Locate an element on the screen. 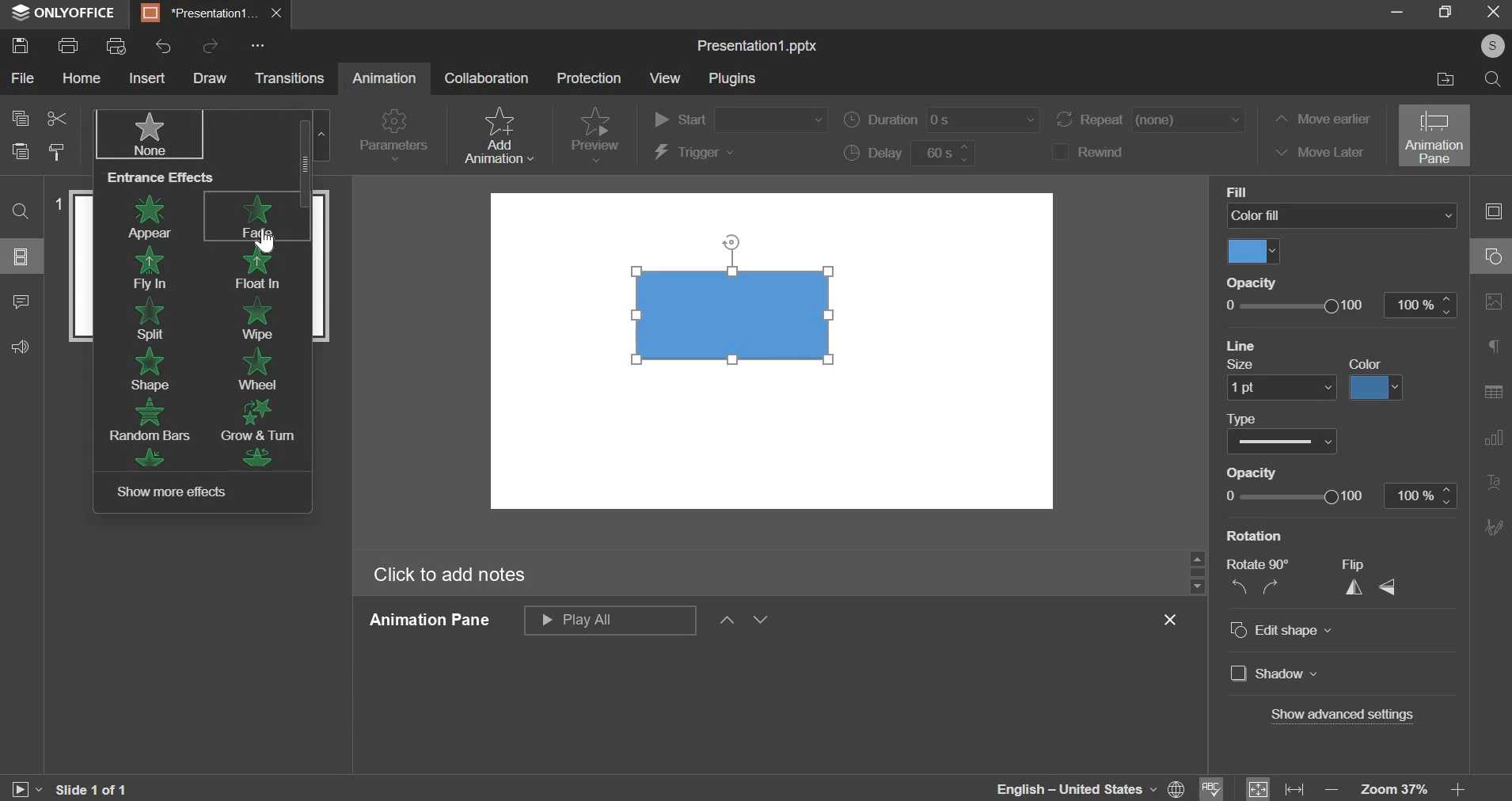  copy style is located at coordinates (59, 152).